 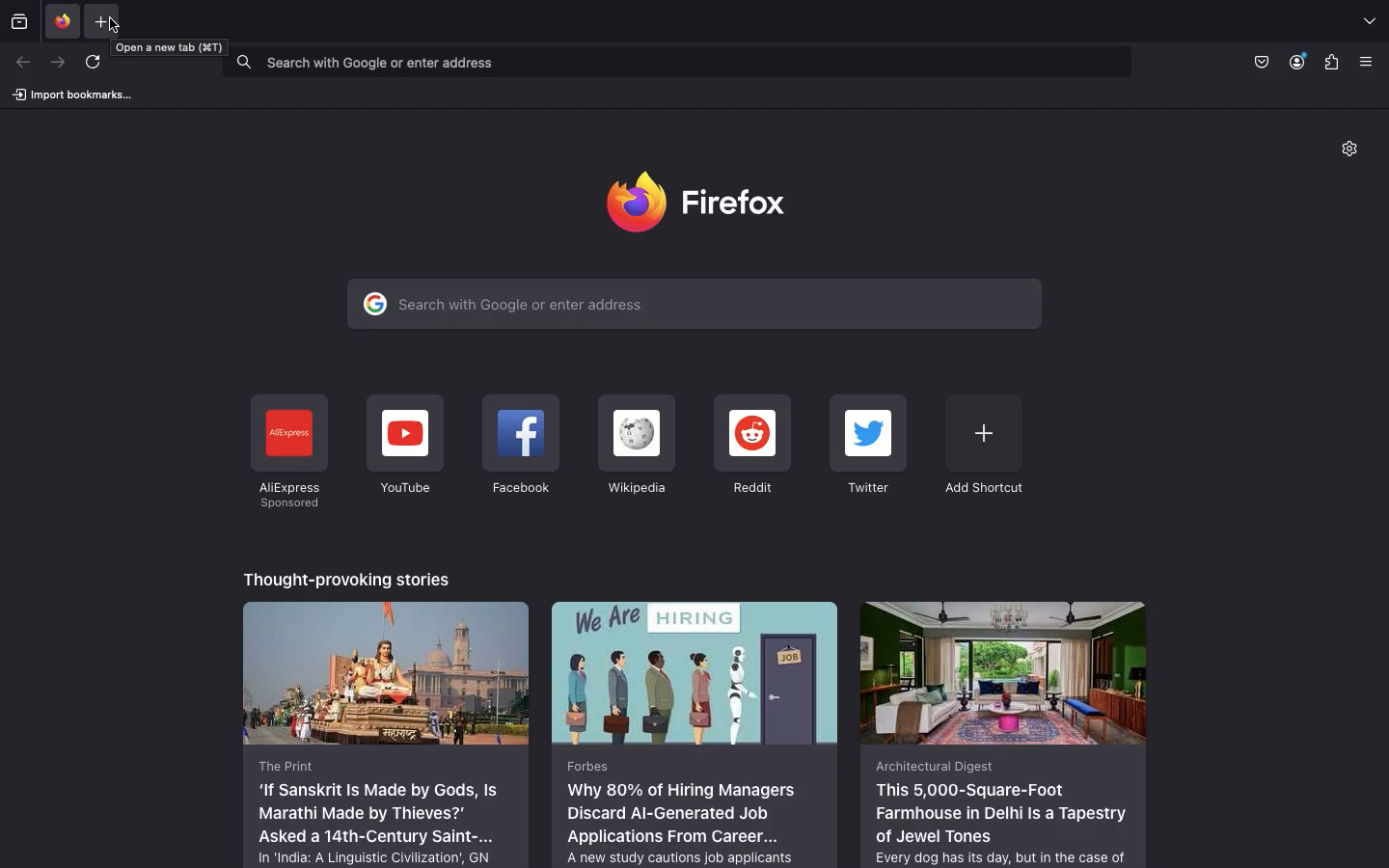 What do you see at coordinates (871, 447) in the screenshot?
I see `Twitter` at bounding box center [871, 447].